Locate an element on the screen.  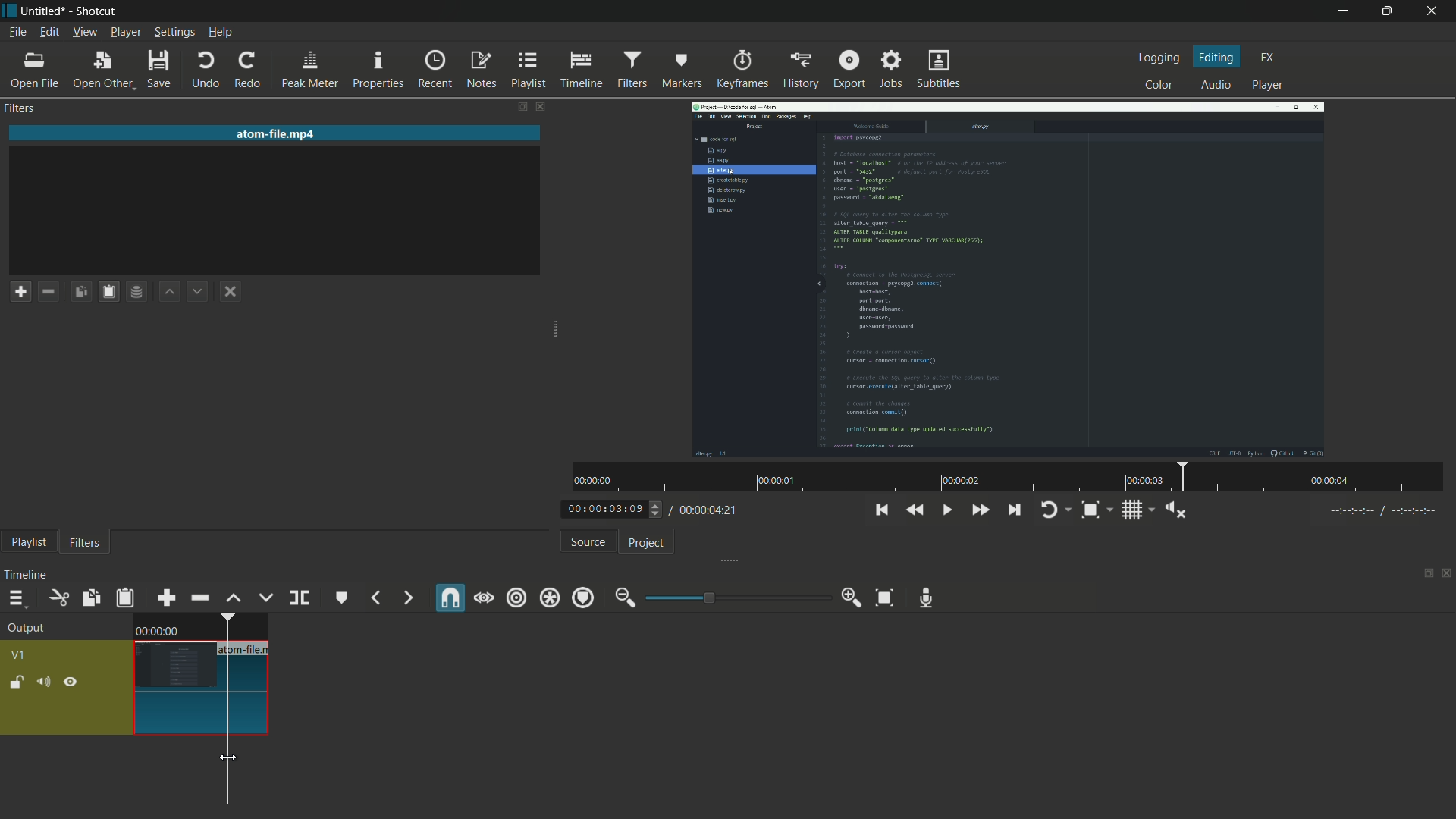
ripple is located at coordinates (515, 598).